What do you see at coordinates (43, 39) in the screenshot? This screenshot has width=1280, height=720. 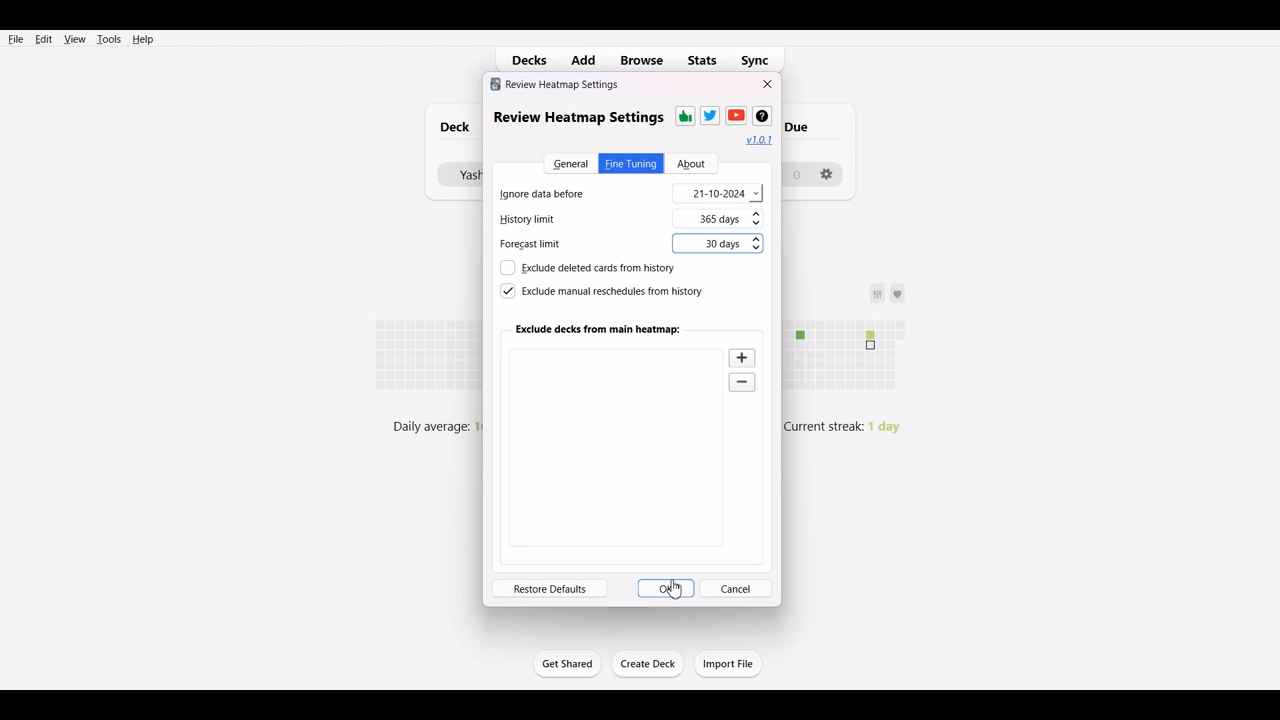 I see `Edit` at bounding box center [43, 39].